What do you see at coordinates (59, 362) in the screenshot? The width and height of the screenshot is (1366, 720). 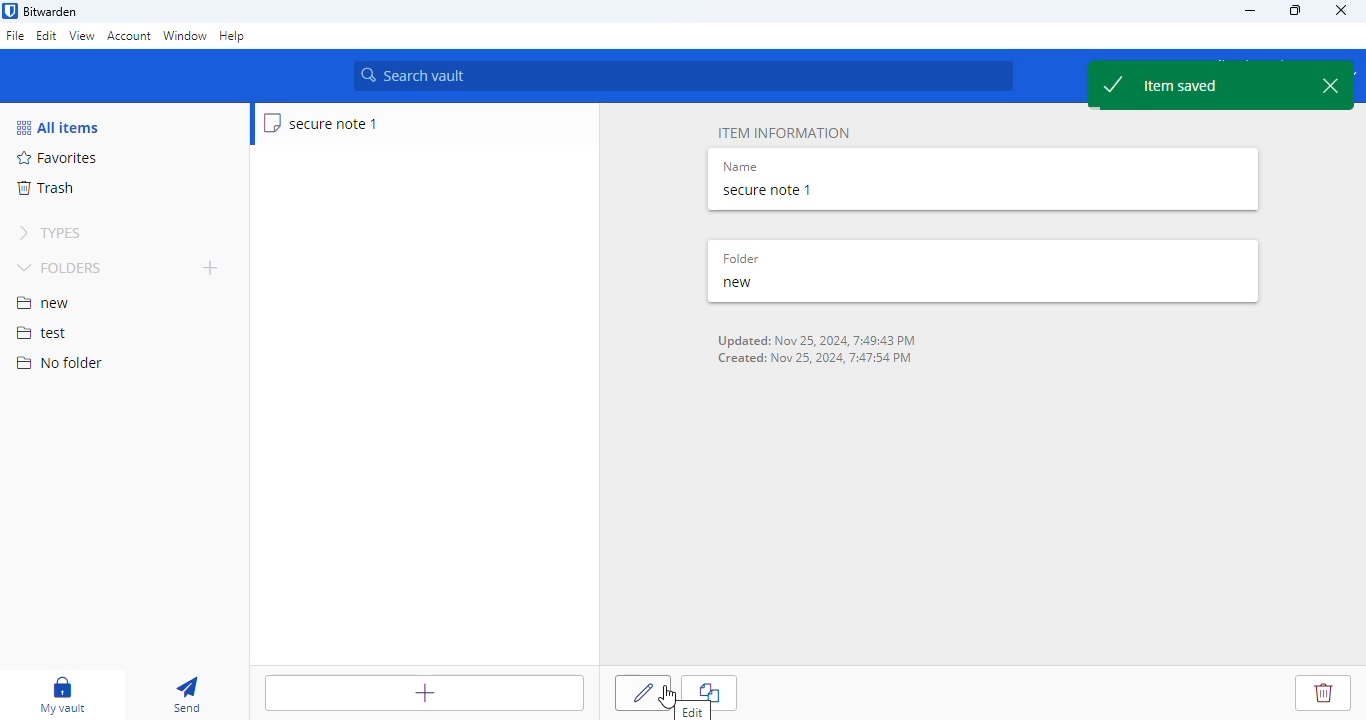 I see `no folder` at bounding box center [59, 362].